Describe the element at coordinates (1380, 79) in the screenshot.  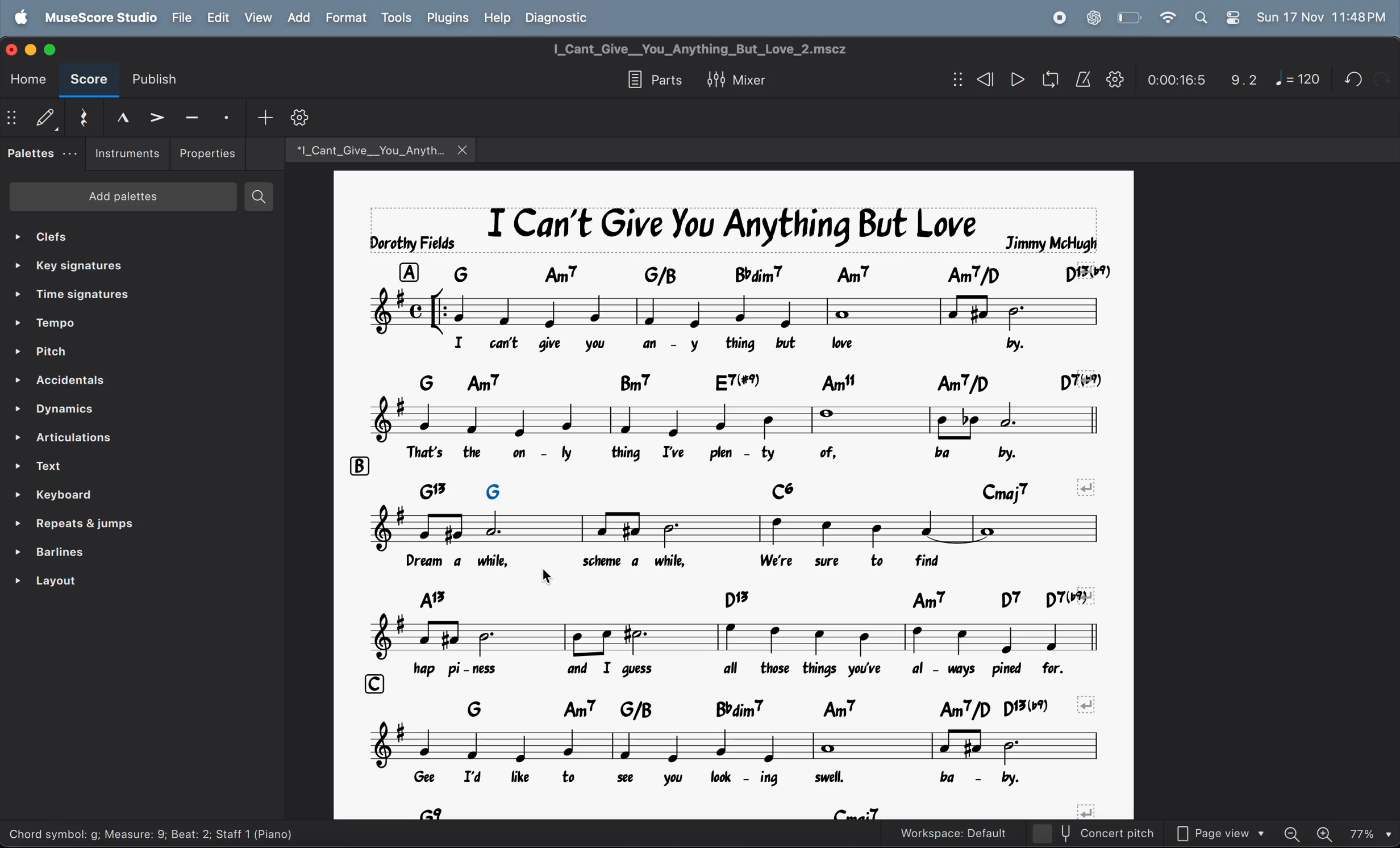
I see `redo` at that location.